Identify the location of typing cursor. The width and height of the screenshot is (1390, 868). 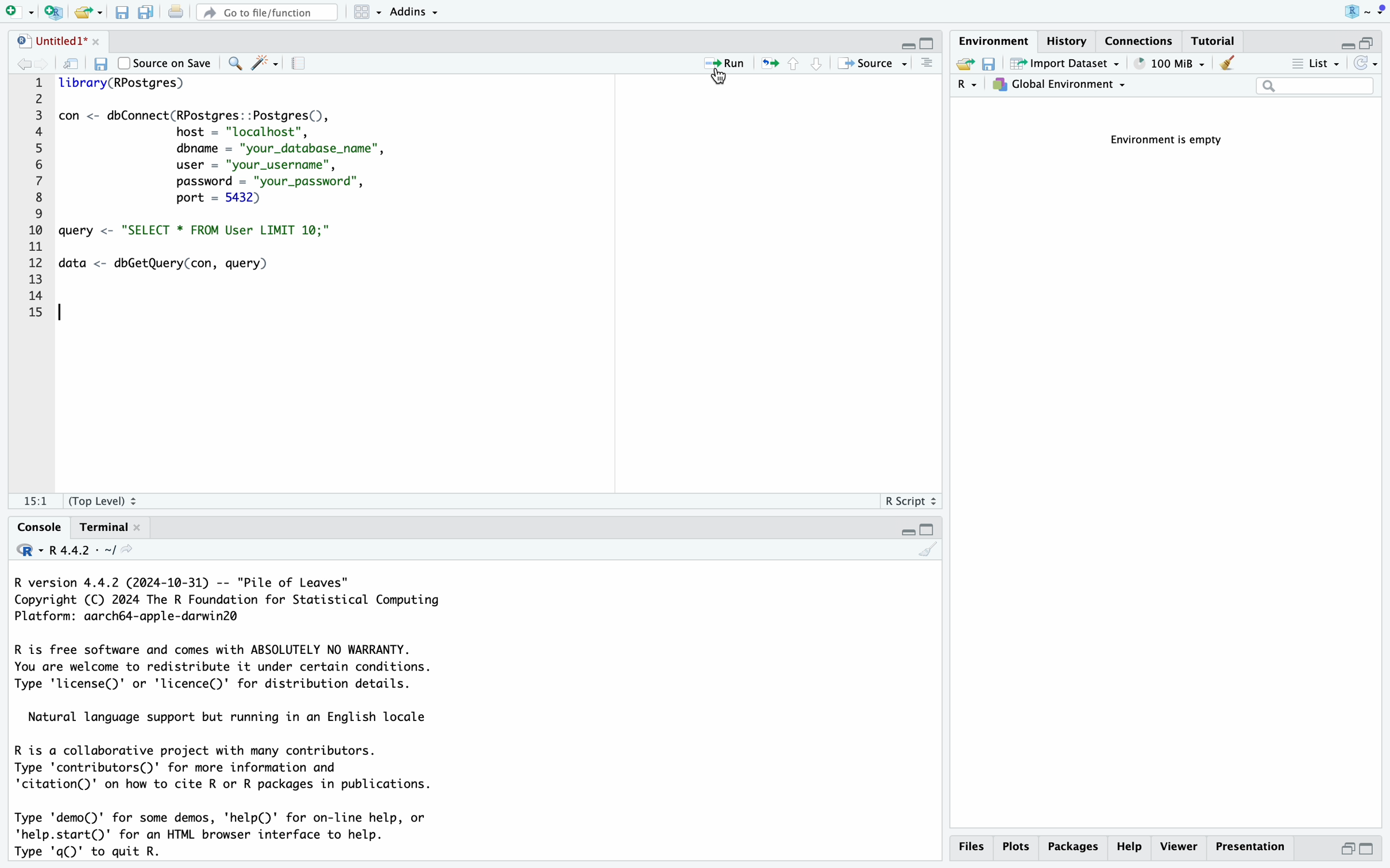
(66, 316).